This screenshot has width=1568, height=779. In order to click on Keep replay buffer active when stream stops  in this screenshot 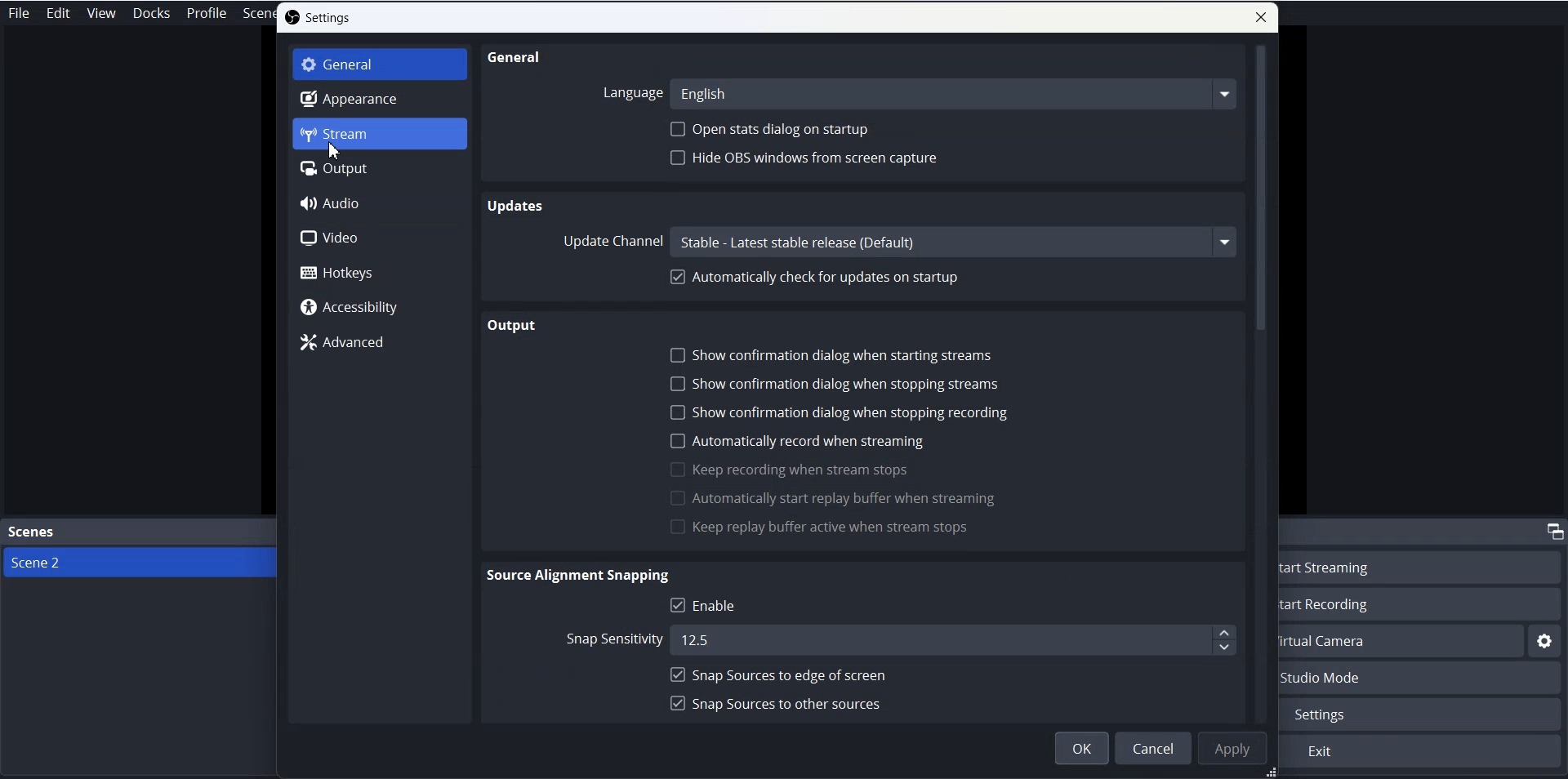, I will do `click(822, 526)`.